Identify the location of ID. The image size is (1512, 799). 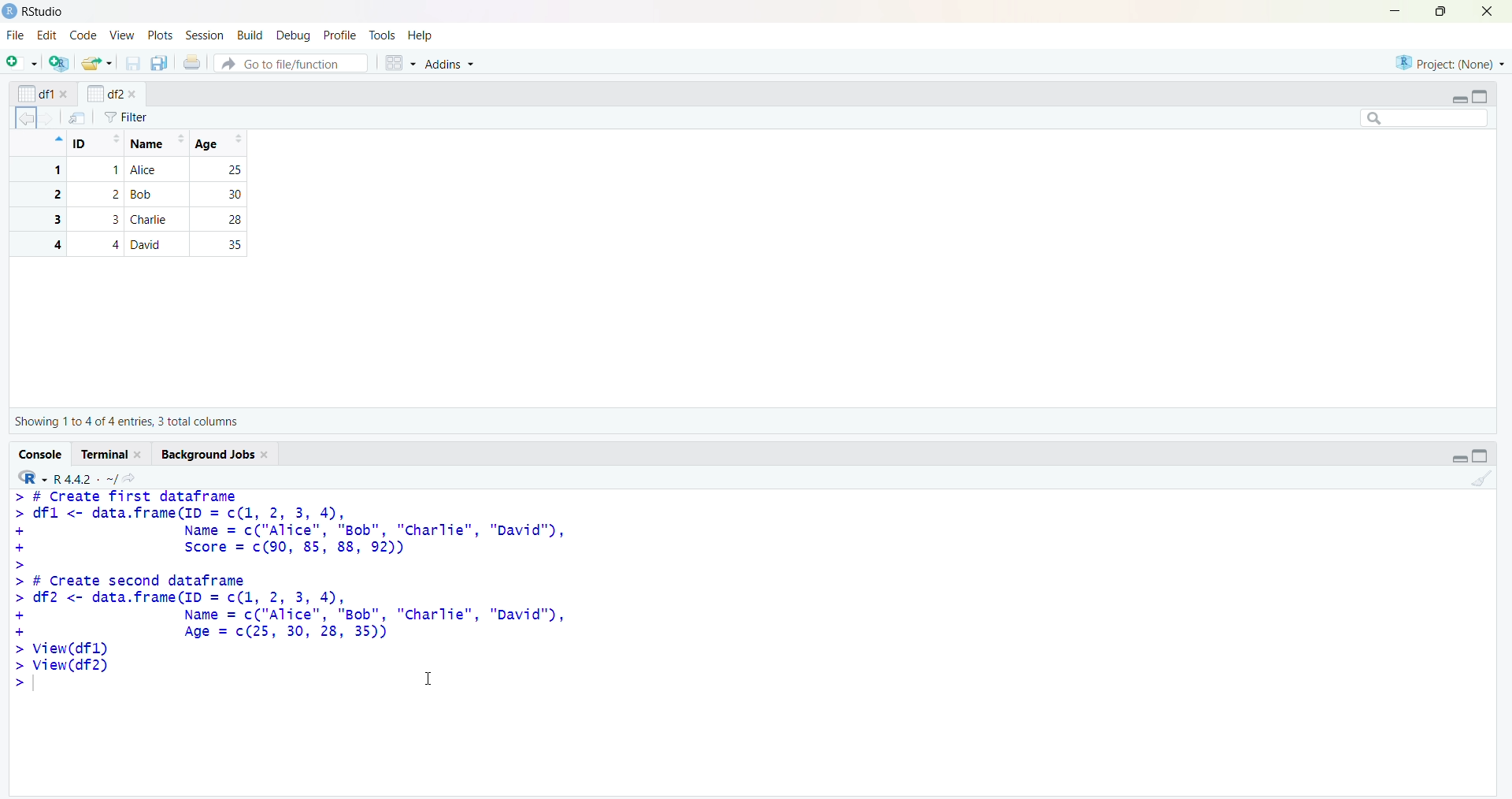
(97, 143).